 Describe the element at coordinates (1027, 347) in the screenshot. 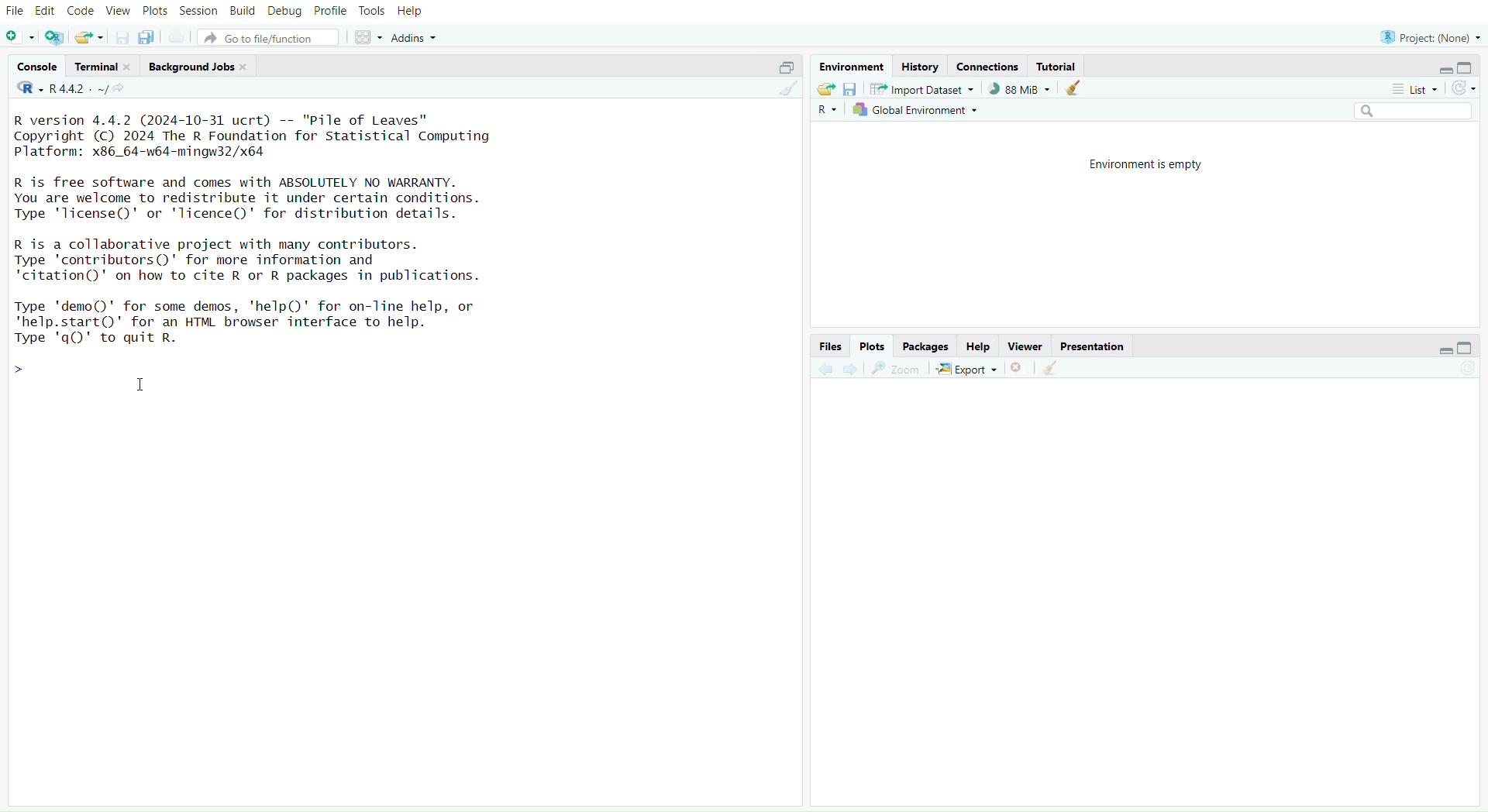

I see `viewer` at that location.